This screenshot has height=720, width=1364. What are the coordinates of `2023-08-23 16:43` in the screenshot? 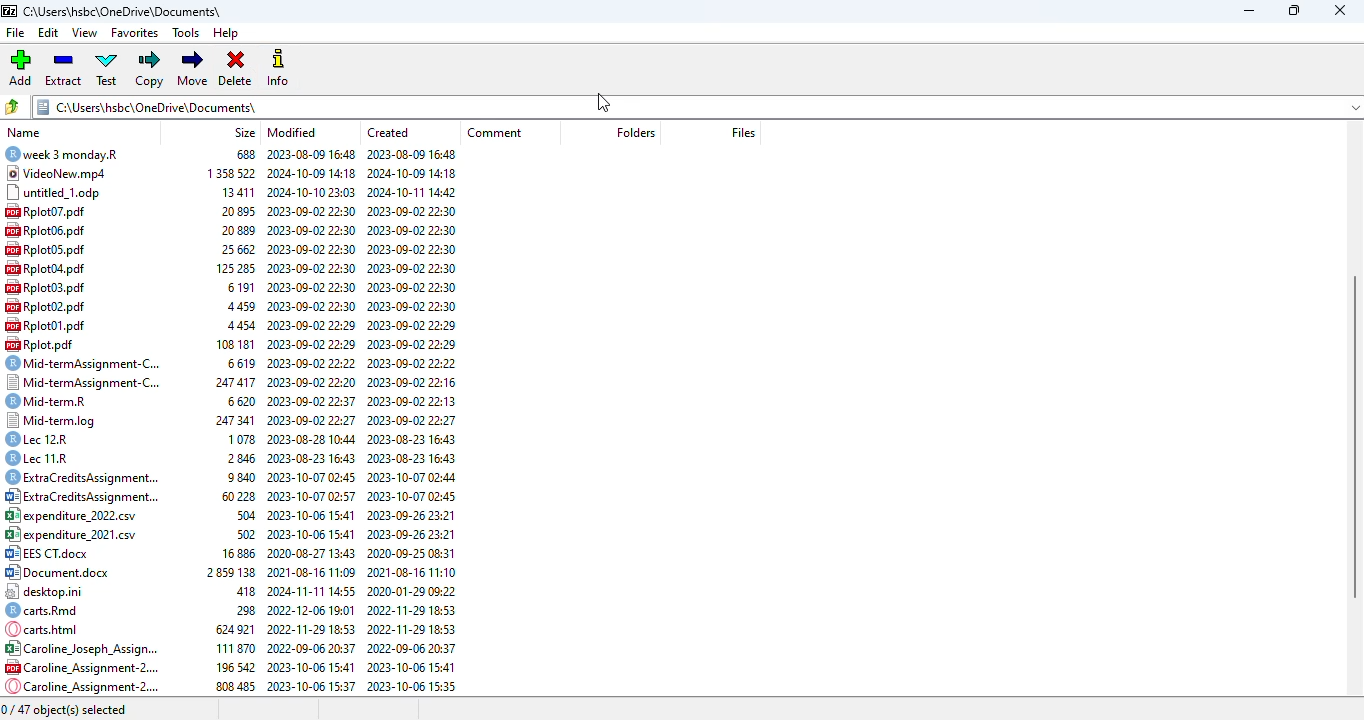 It's located at (413, 458).